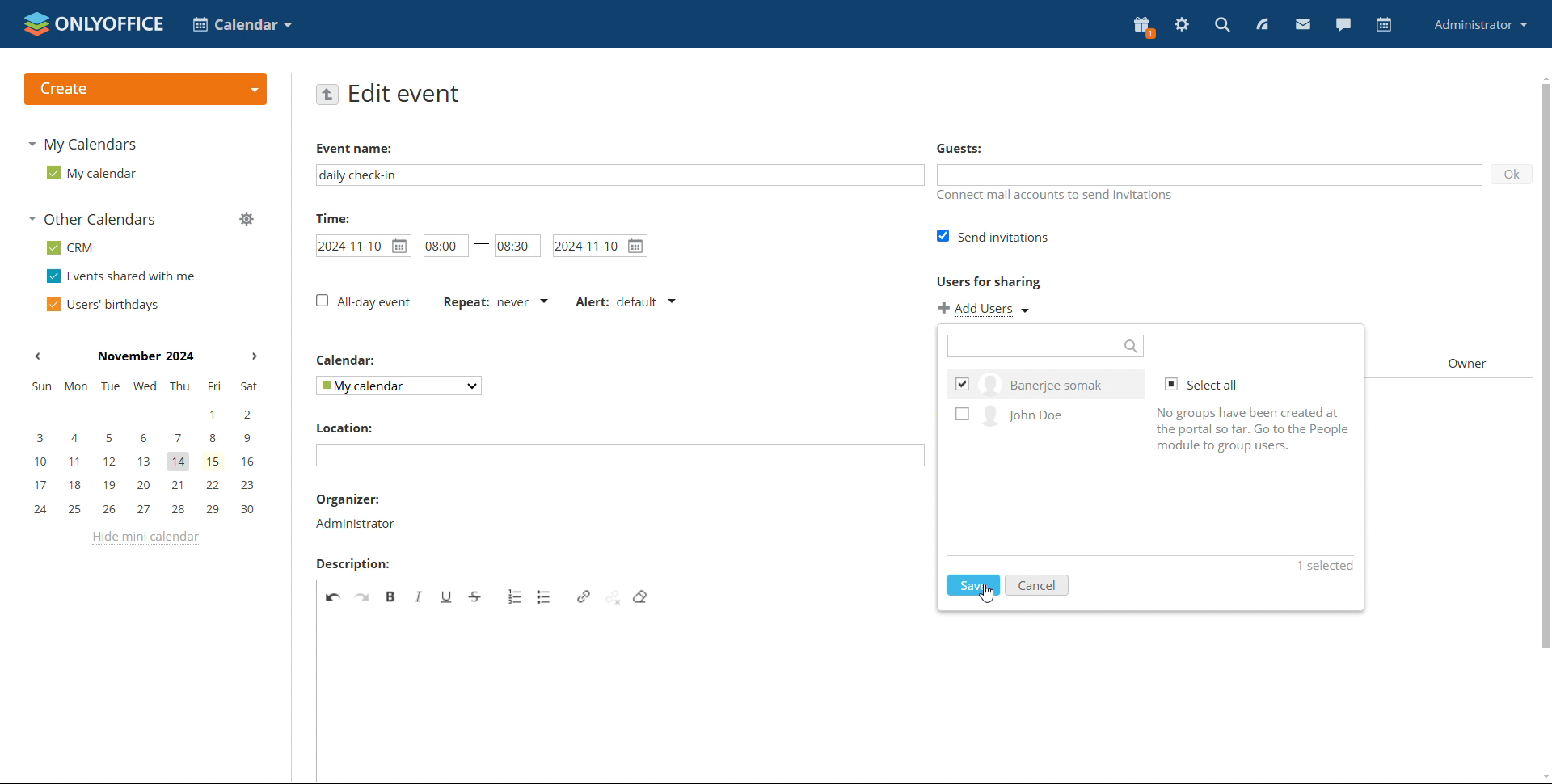  Describe the element at coordinates (368, 145) in the screenshot. I see `event name:` at that location.